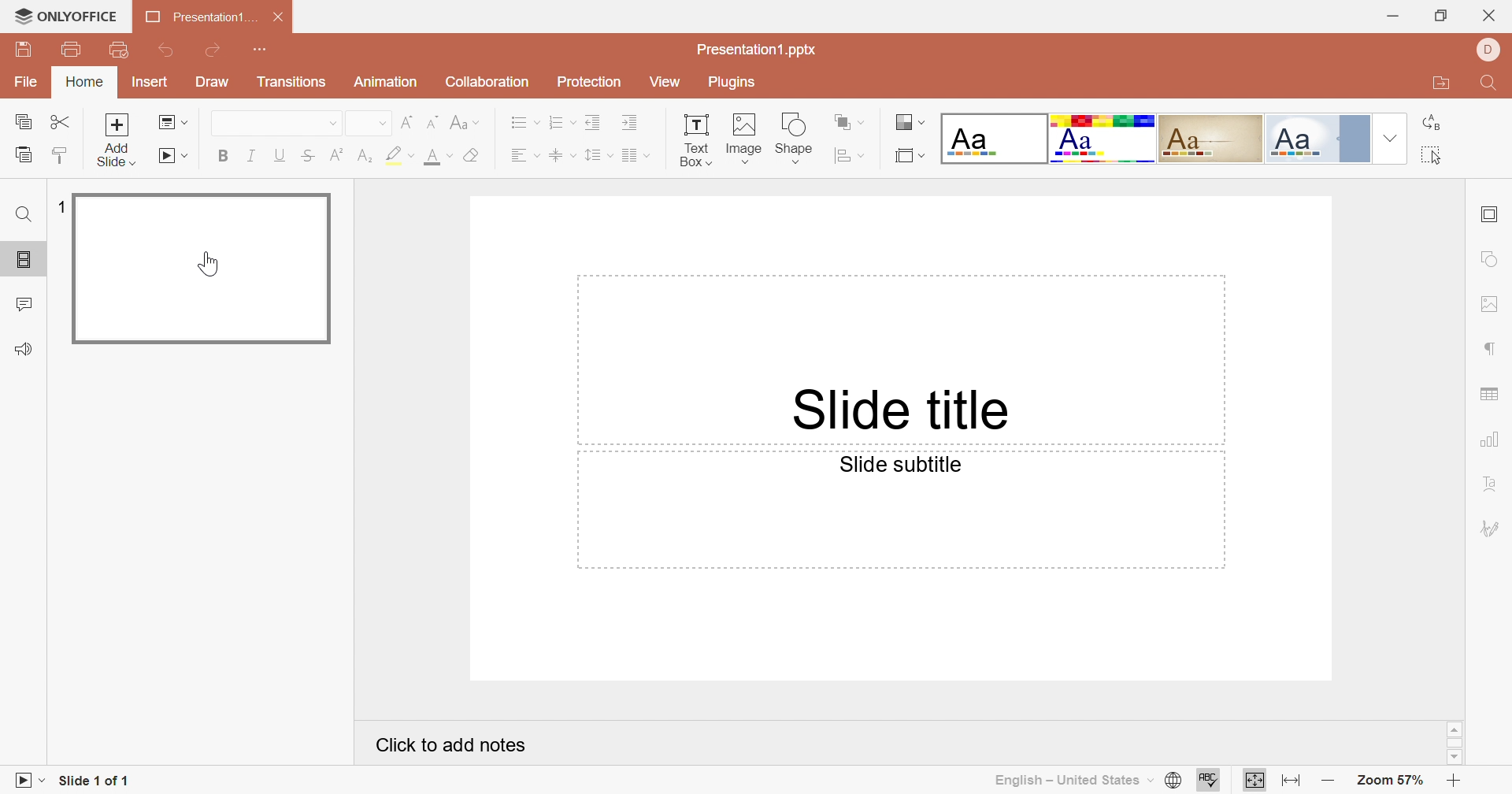 The image size is (1512, 794). Describe the element at coordinates (1391, 780) in the screenshot. I see `Zoom 57%` at that location.